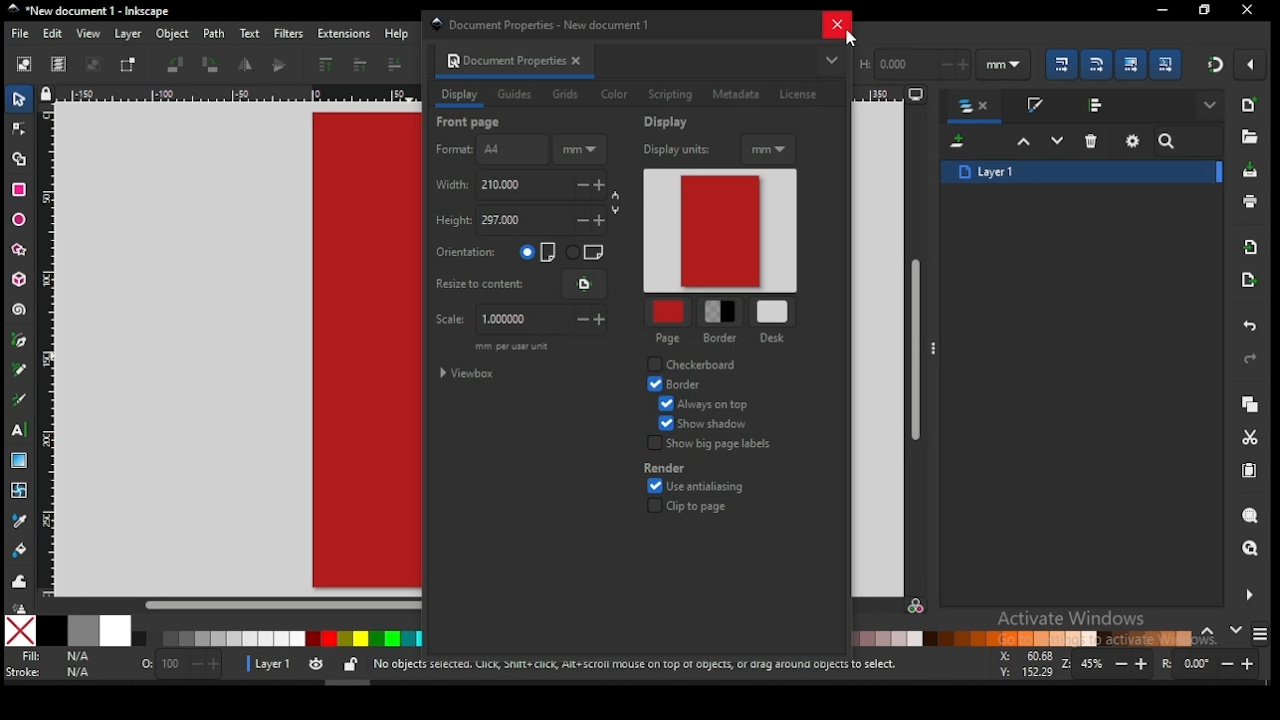  What do you see at coordinates (1189, 141) in the screenshot?
I see `search bar` at bounding box center [1189, 141].